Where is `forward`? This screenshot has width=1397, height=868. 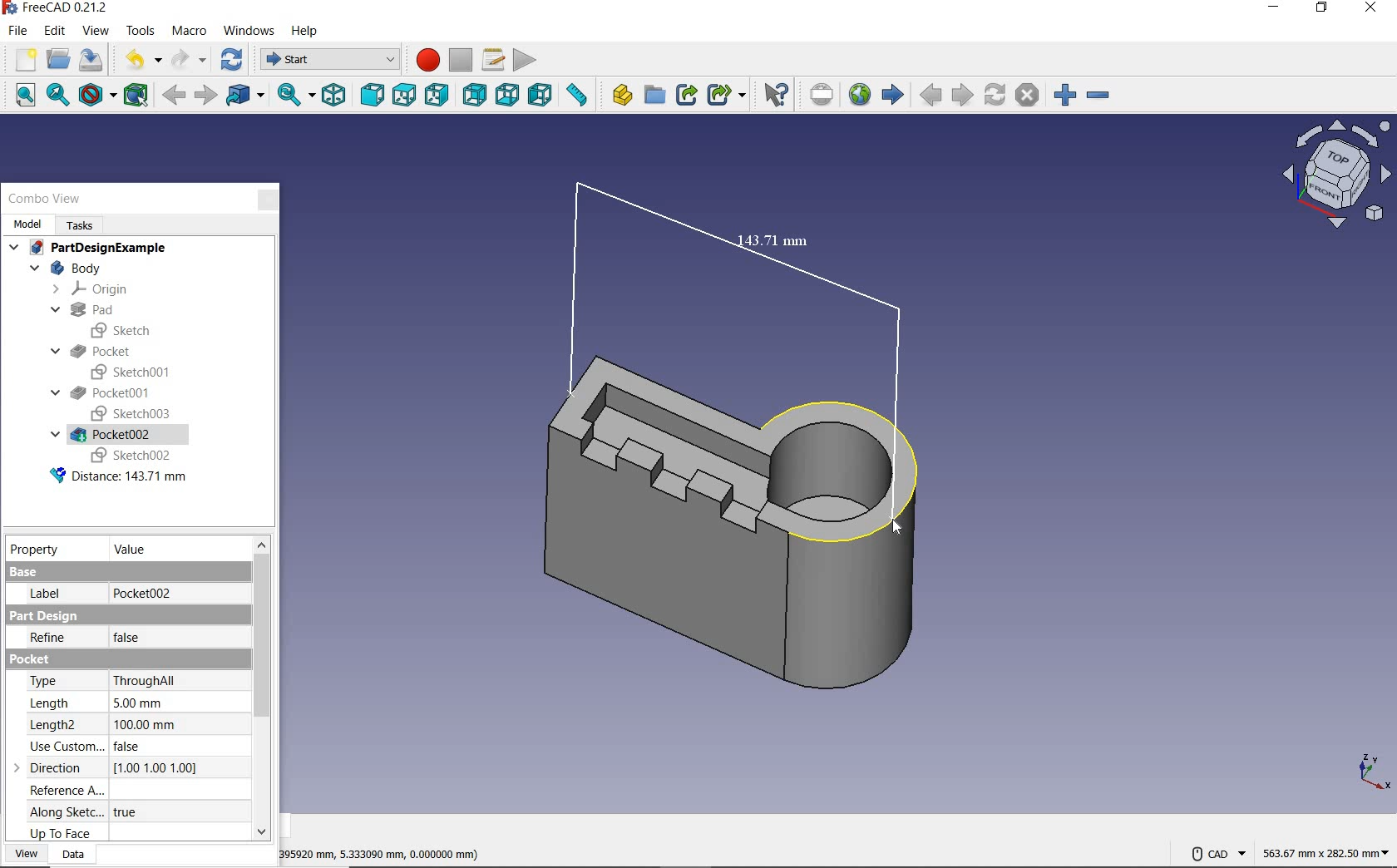
forward is located at coordinates (205, 96).